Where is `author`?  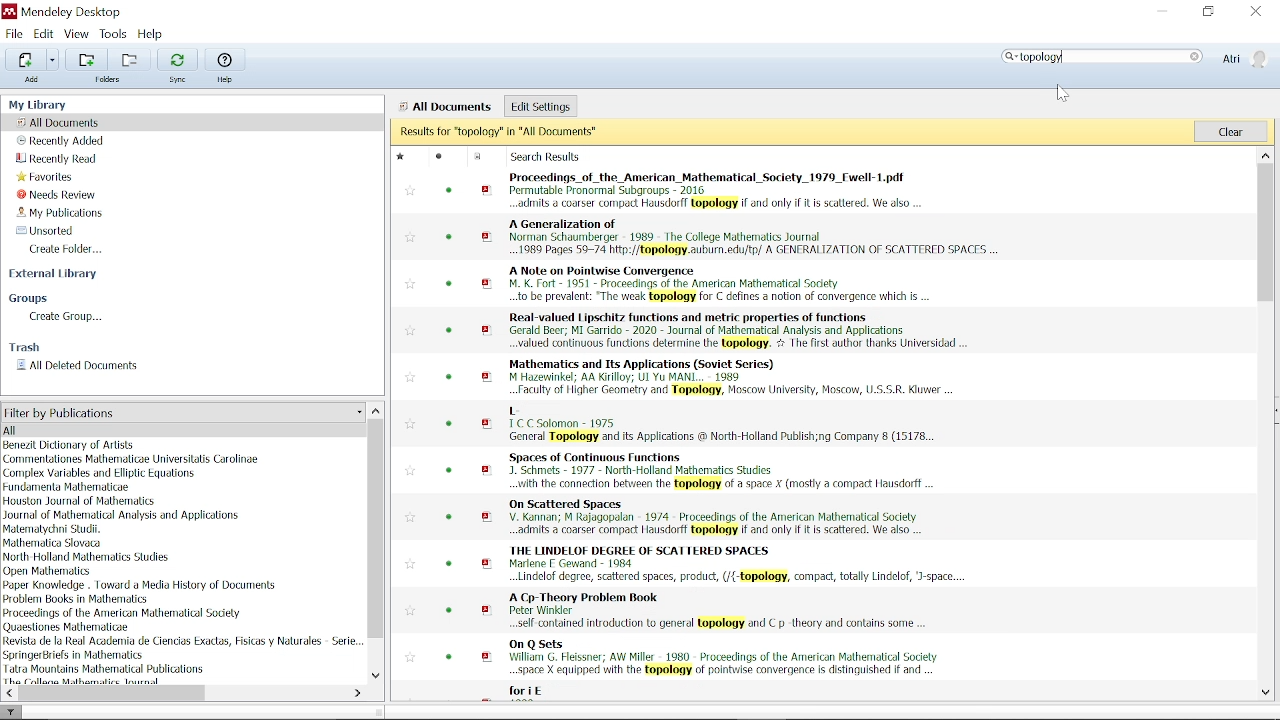
author is located at coordinates (54, 542).